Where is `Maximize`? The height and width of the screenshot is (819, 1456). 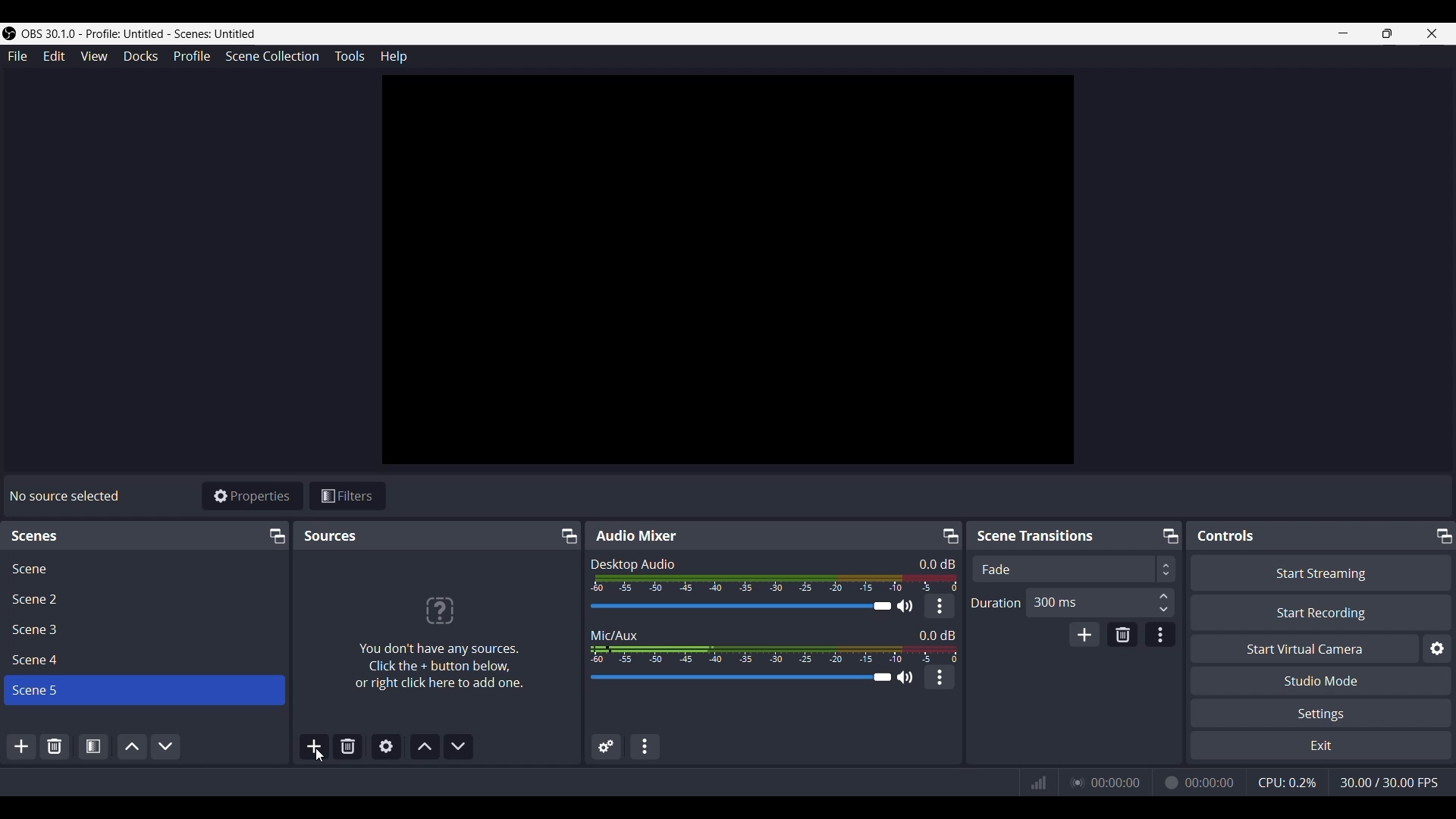
Maximize is located at coordinates (565, 535).